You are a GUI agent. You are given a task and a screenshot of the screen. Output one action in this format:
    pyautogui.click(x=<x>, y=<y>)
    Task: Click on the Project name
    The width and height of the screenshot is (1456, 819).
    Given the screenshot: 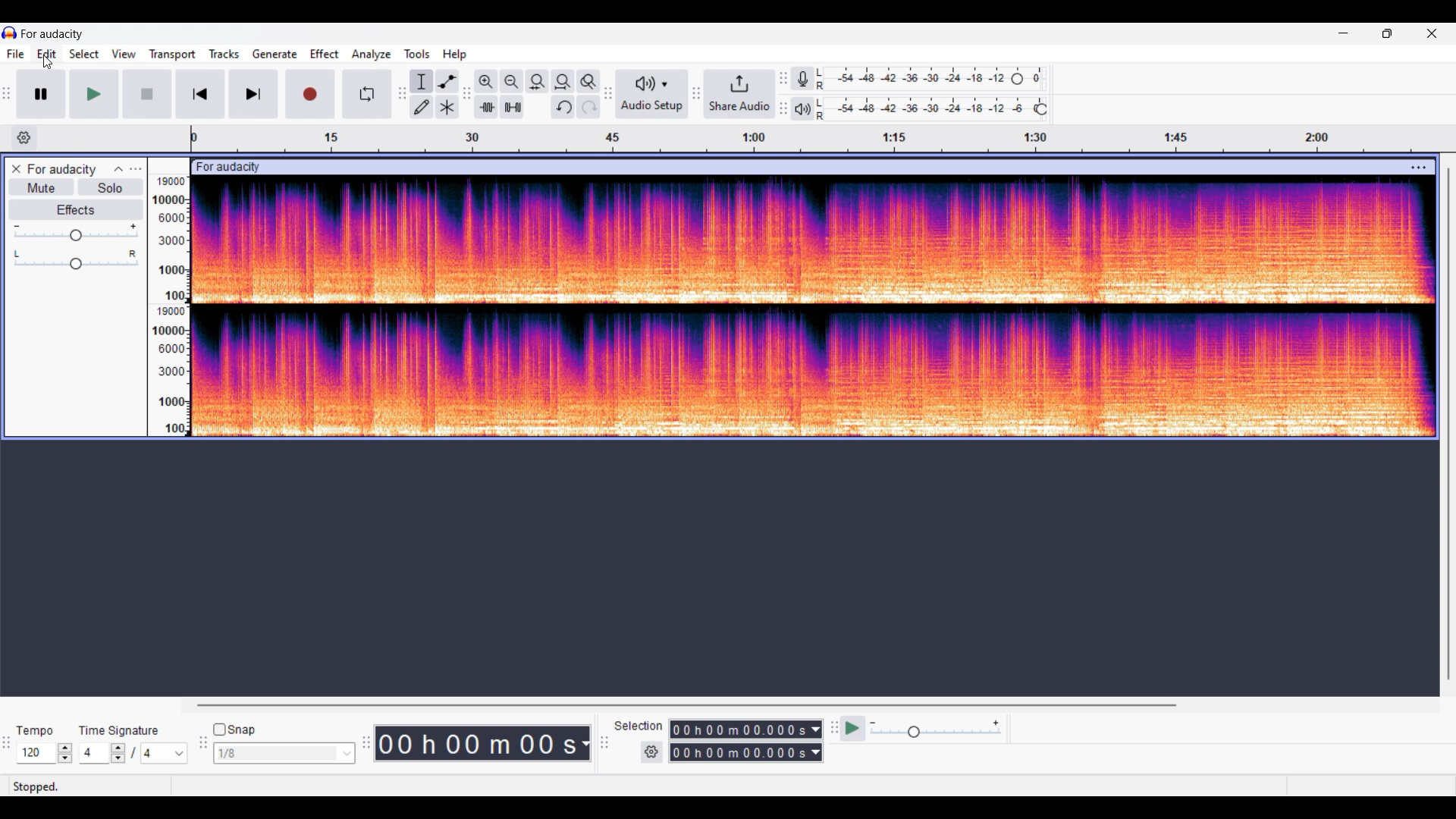 What is the action you would take?
    pyautogui.click(x=52, y=34)
    